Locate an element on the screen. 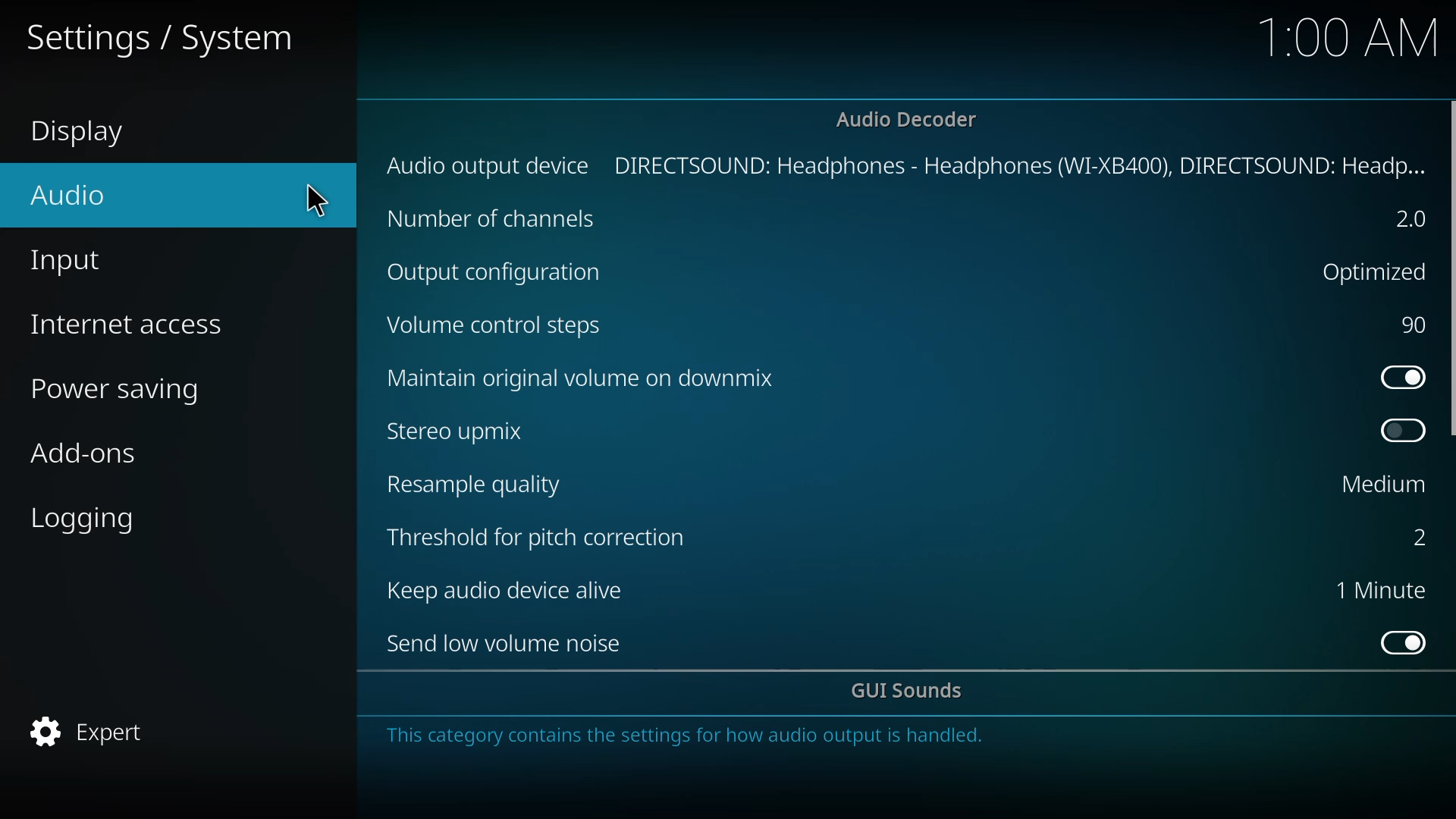  enabled is located at coordinates (1398, 641).